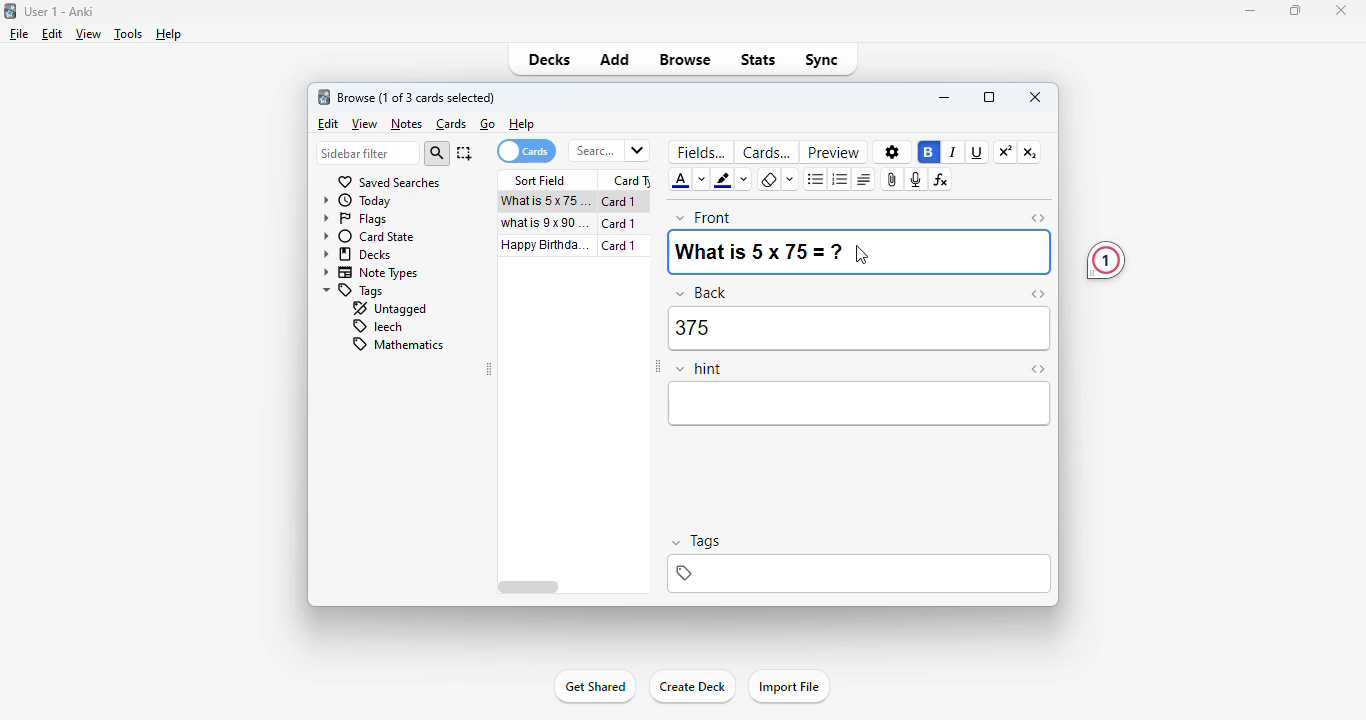 This screenshot has width=1366, height=720. What do you see at coordinates (942, 179) in the screenshot?
I see `equations` at bounding box center [942, 179].